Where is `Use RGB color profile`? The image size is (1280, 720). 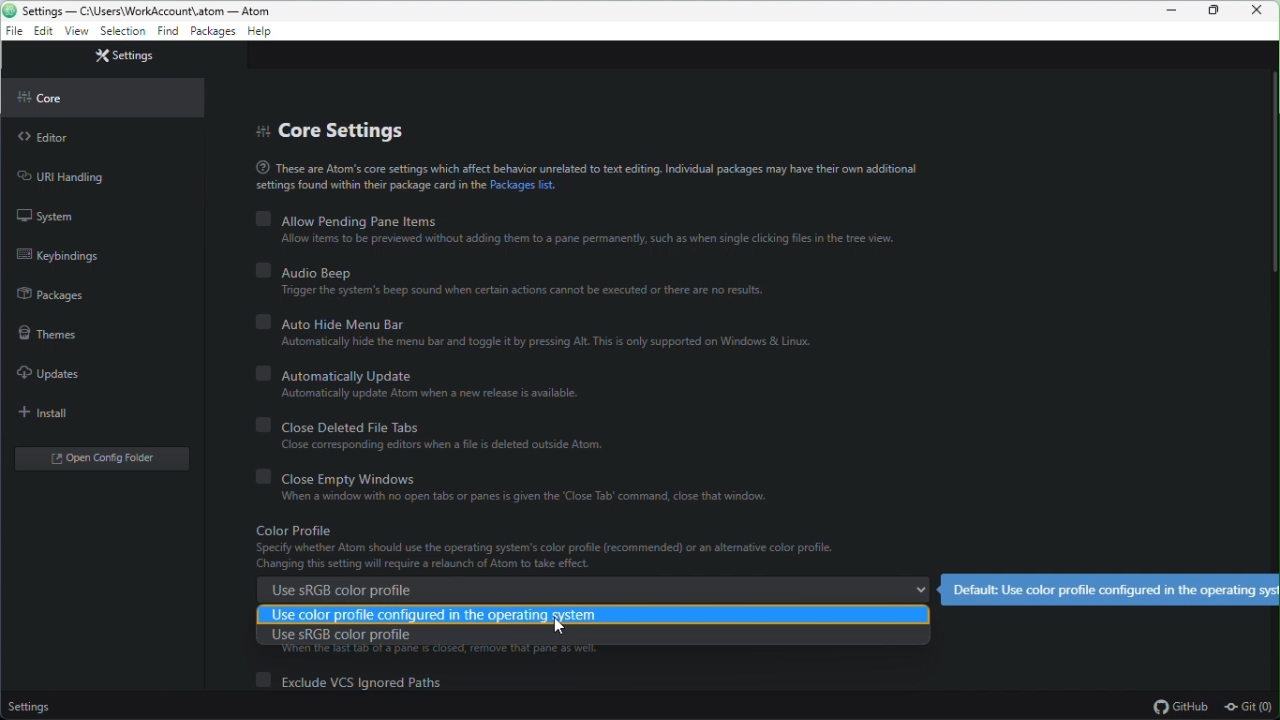 Use RGB color profile is located at coordinates (594, 641).